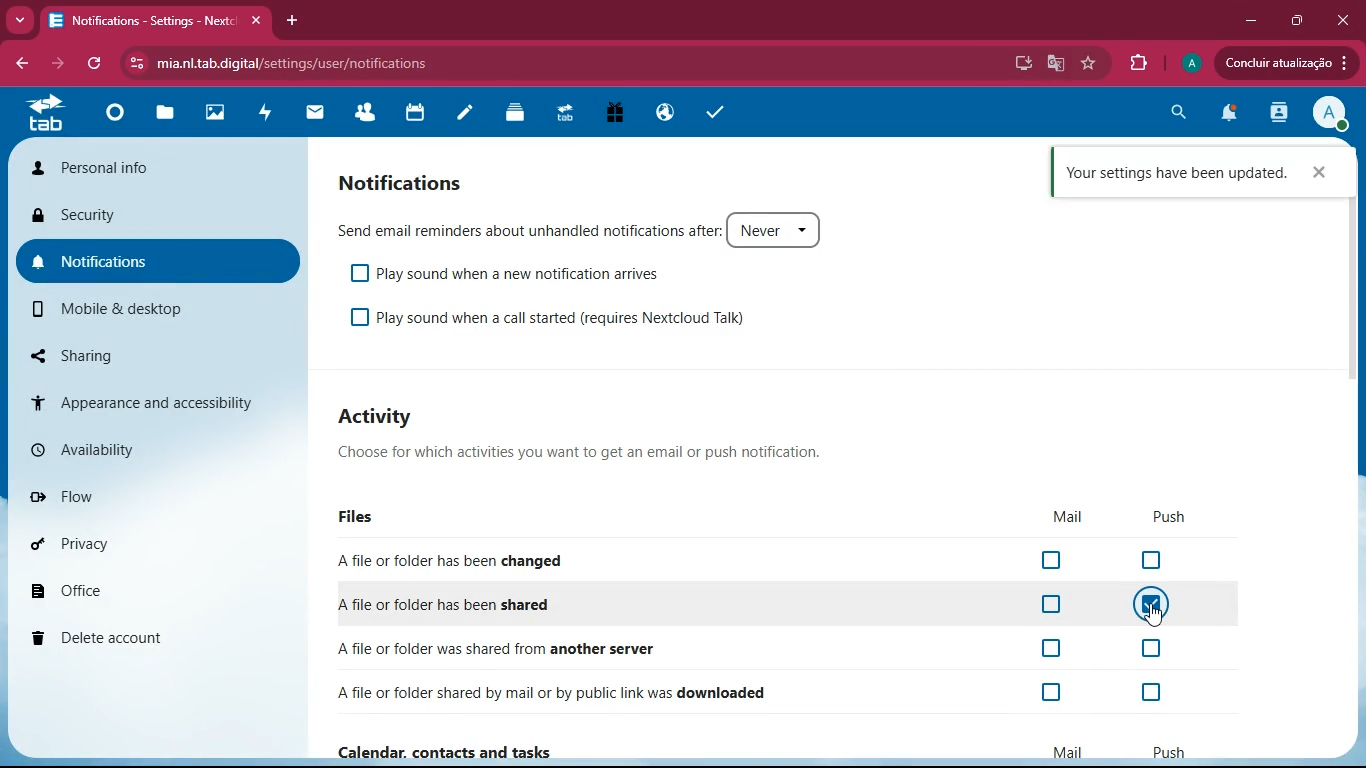 The height and width of the screenshot is (768, 1366). Describe the element at coordinates (1089, 64) in the screenshot. I see `favourites` at that location.